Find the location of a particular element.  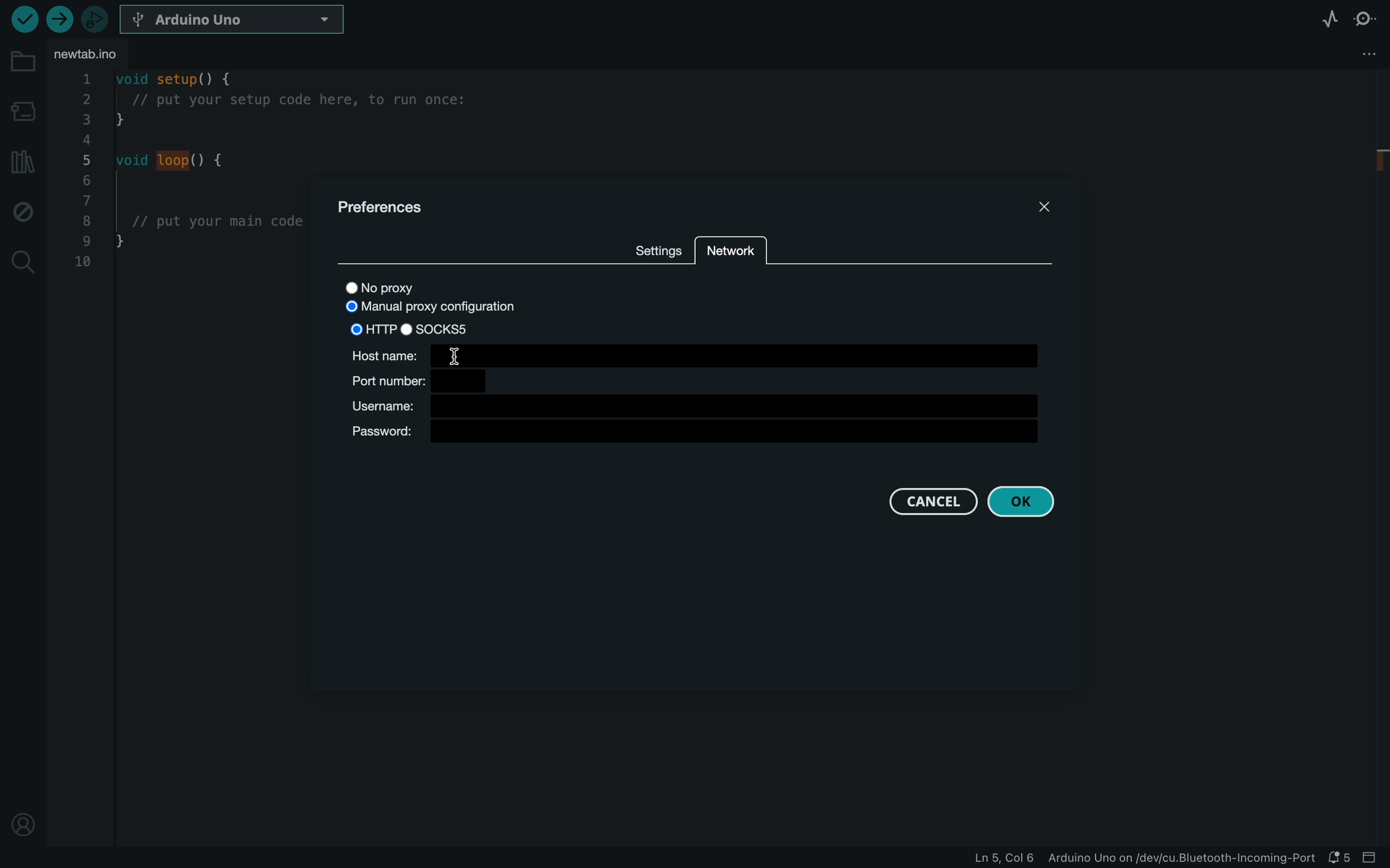

cancel is located at coordinates (925, 502).